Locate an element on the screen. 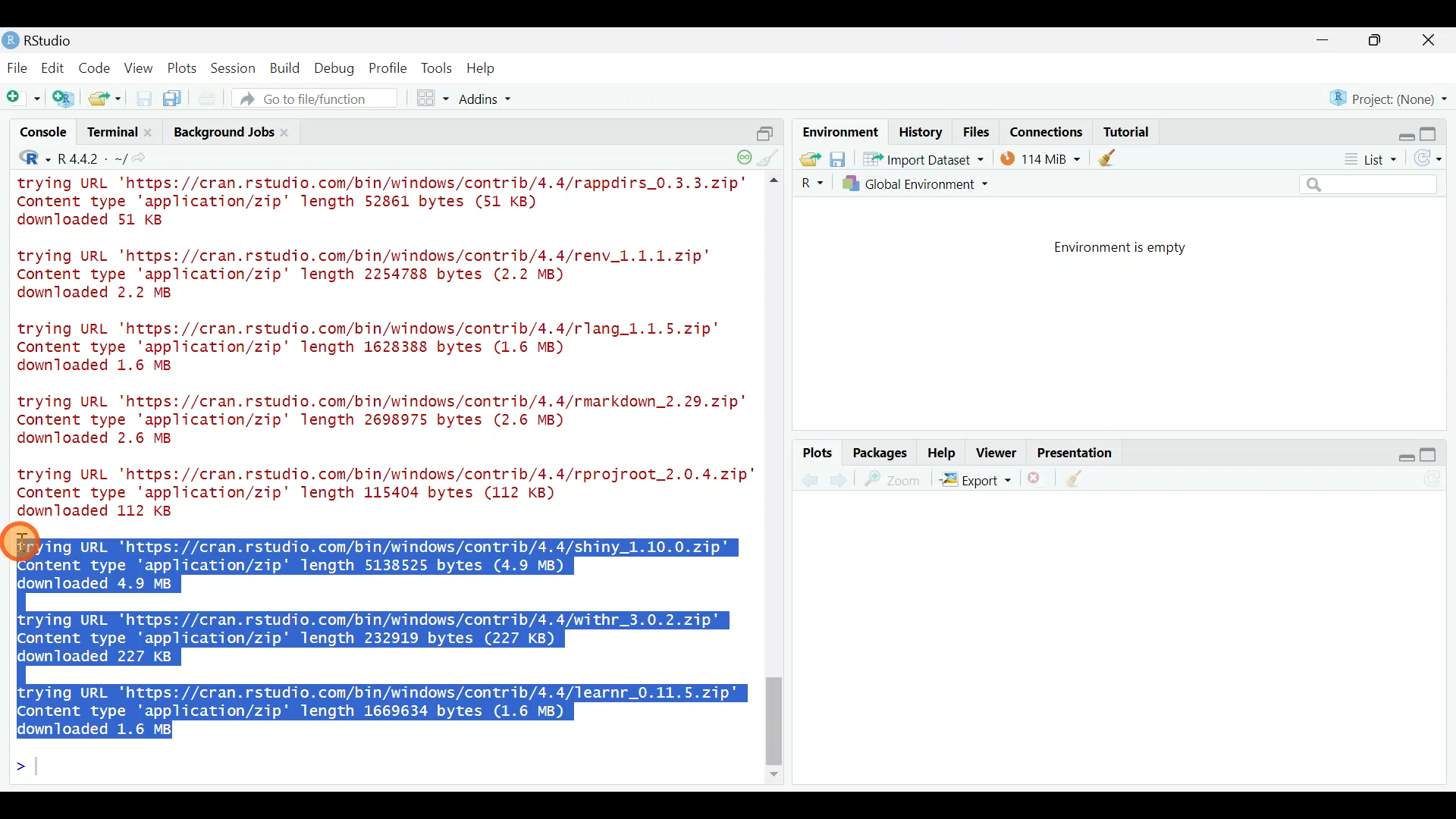  minimize is located at coordinates (1330, 41).